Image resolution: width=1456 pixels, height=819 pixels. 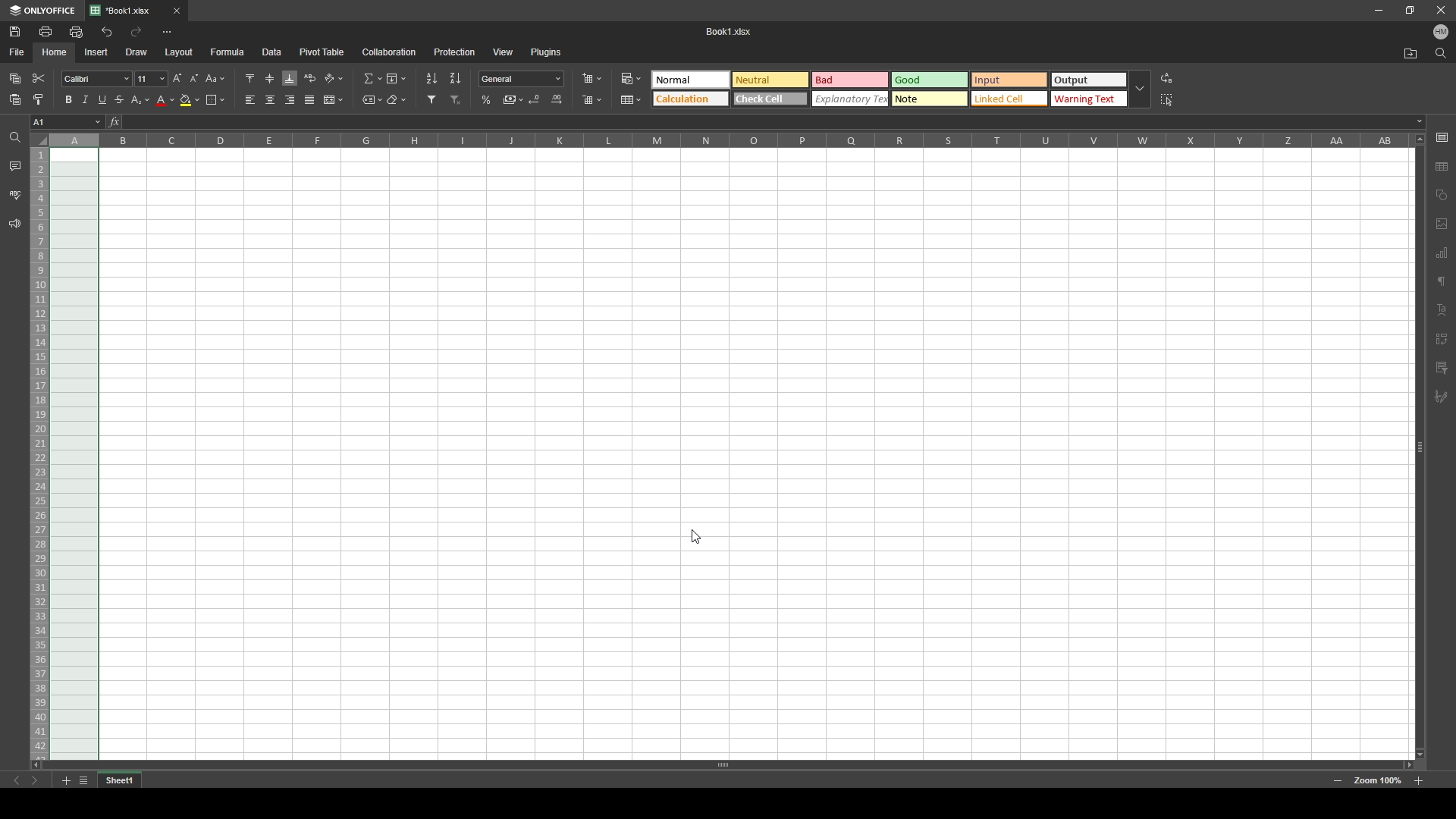 I want to click on number format, so click(x=522, y=78).